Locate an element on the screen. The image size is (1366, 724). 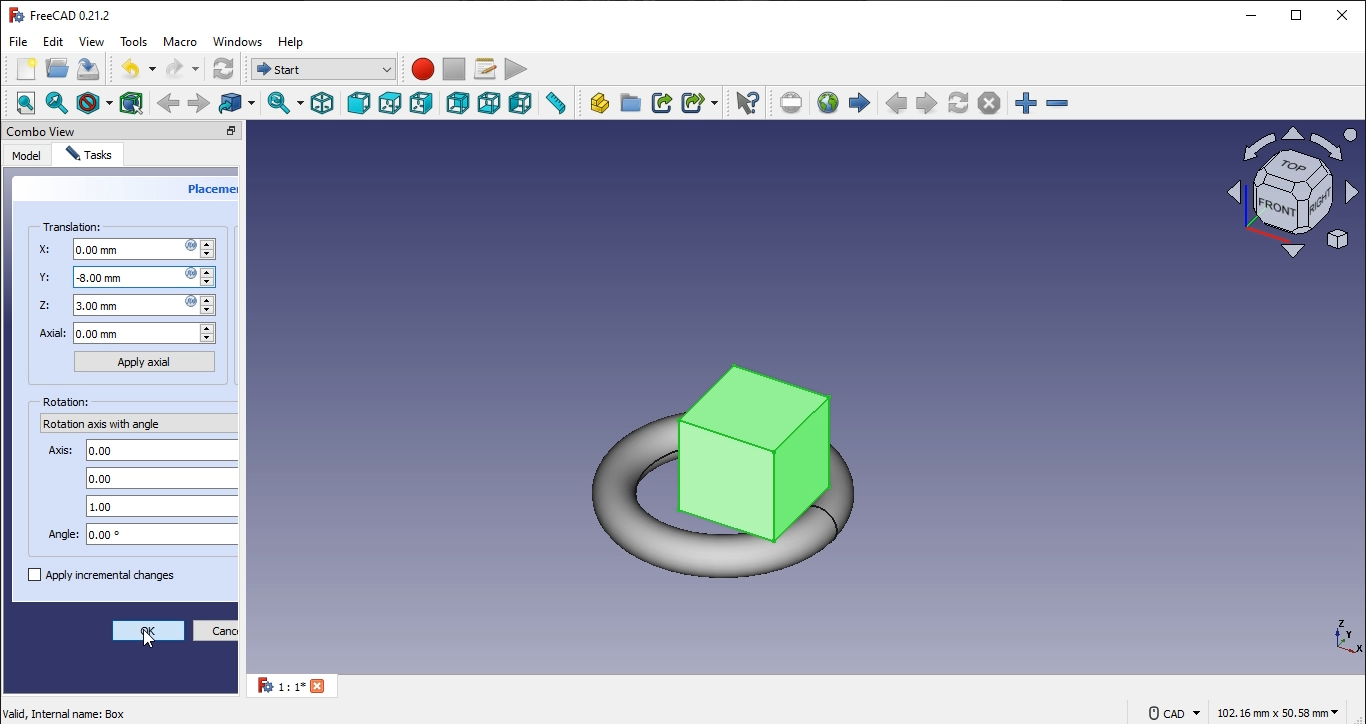
create folder is located at coordinates (631, 104).